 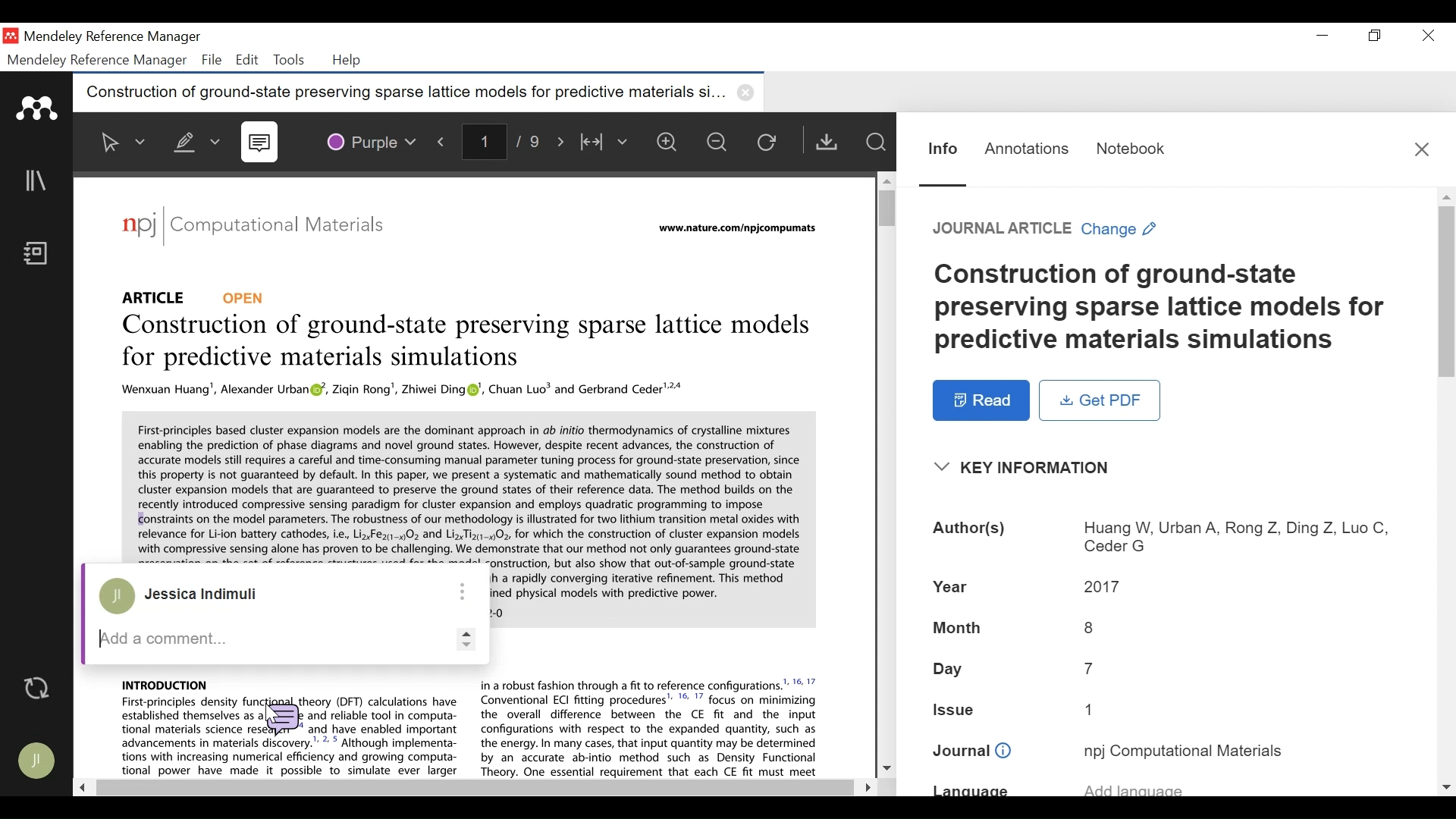 What do you see at coordinates (1129, 146) in the screenshot?
I see `Notebook` at bounding box center [1129, 146].